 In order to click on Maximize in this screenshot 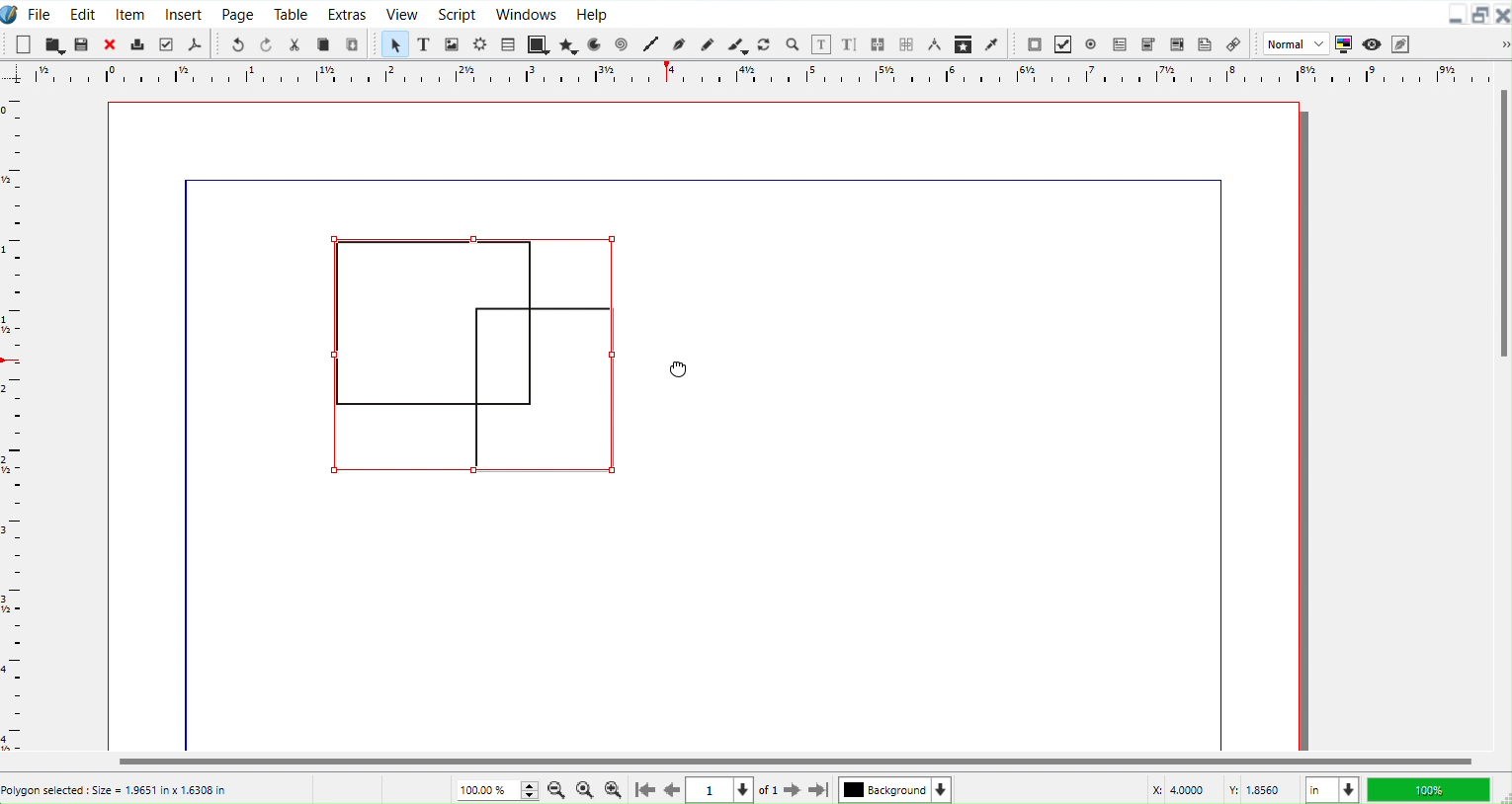, I will do `click(1481, 15)`.